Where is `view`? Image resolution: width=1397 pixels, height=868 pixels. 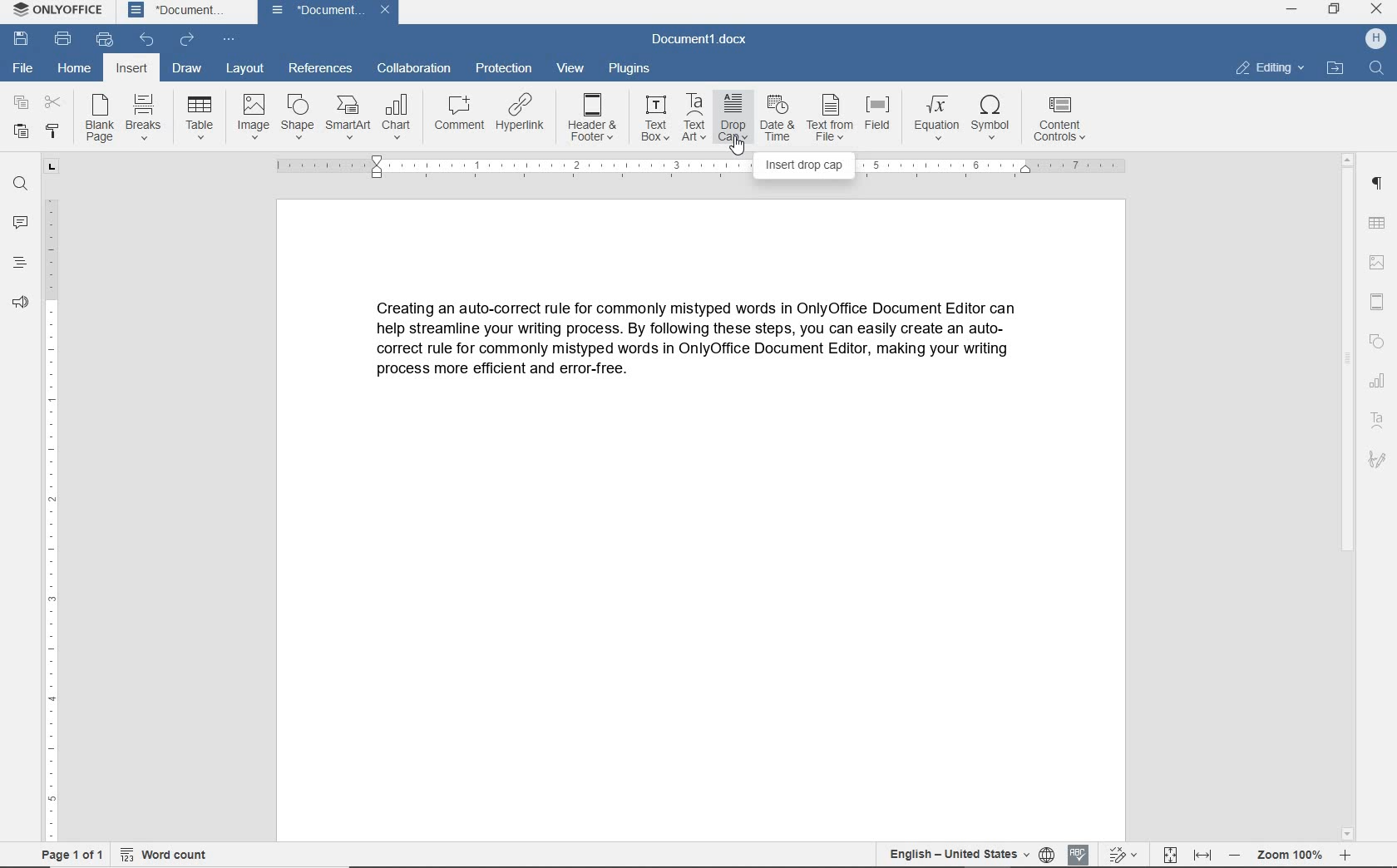 view is located at coordinates (571, 70).